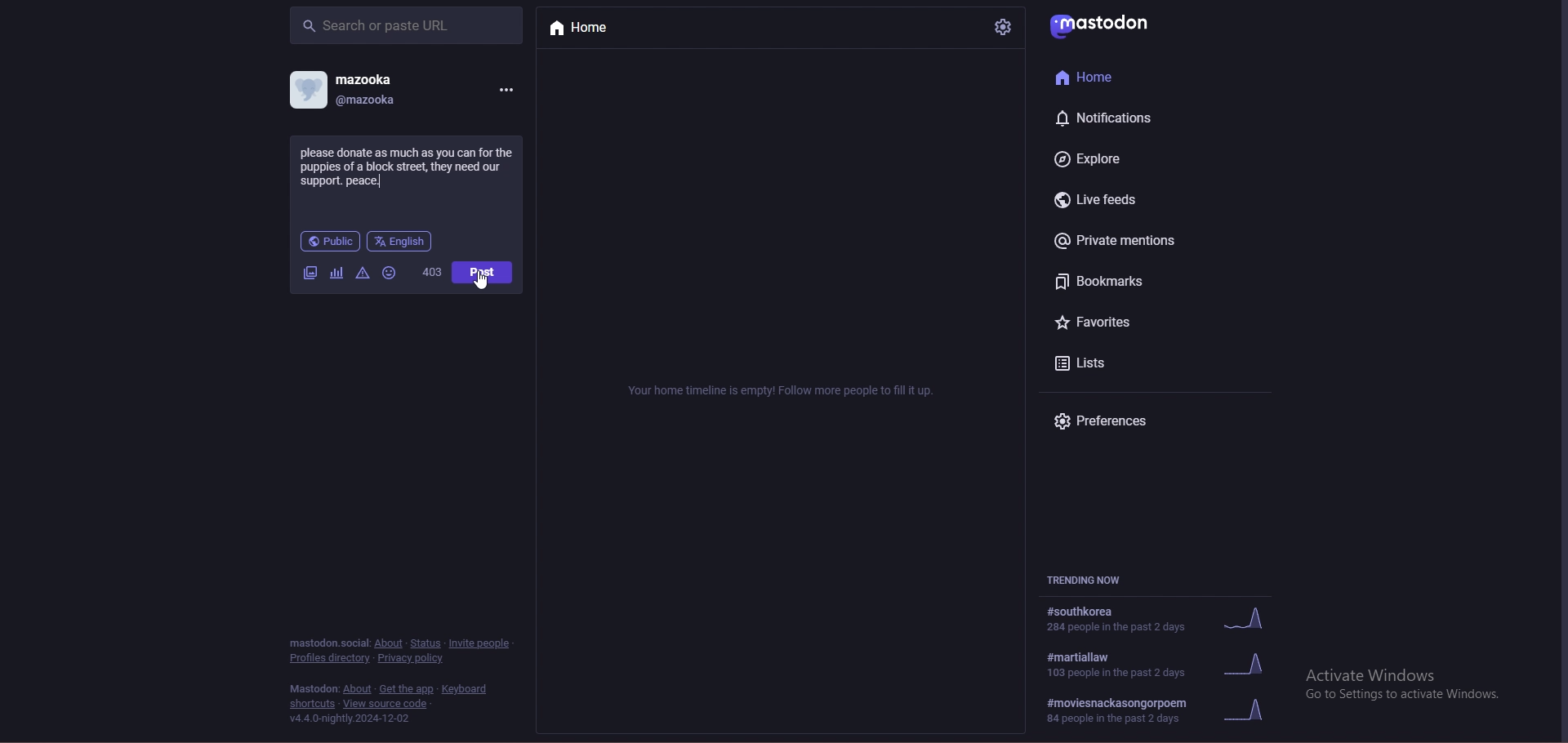 The image size is (1568, 743). I want to click on search bar, so click(408, 24).